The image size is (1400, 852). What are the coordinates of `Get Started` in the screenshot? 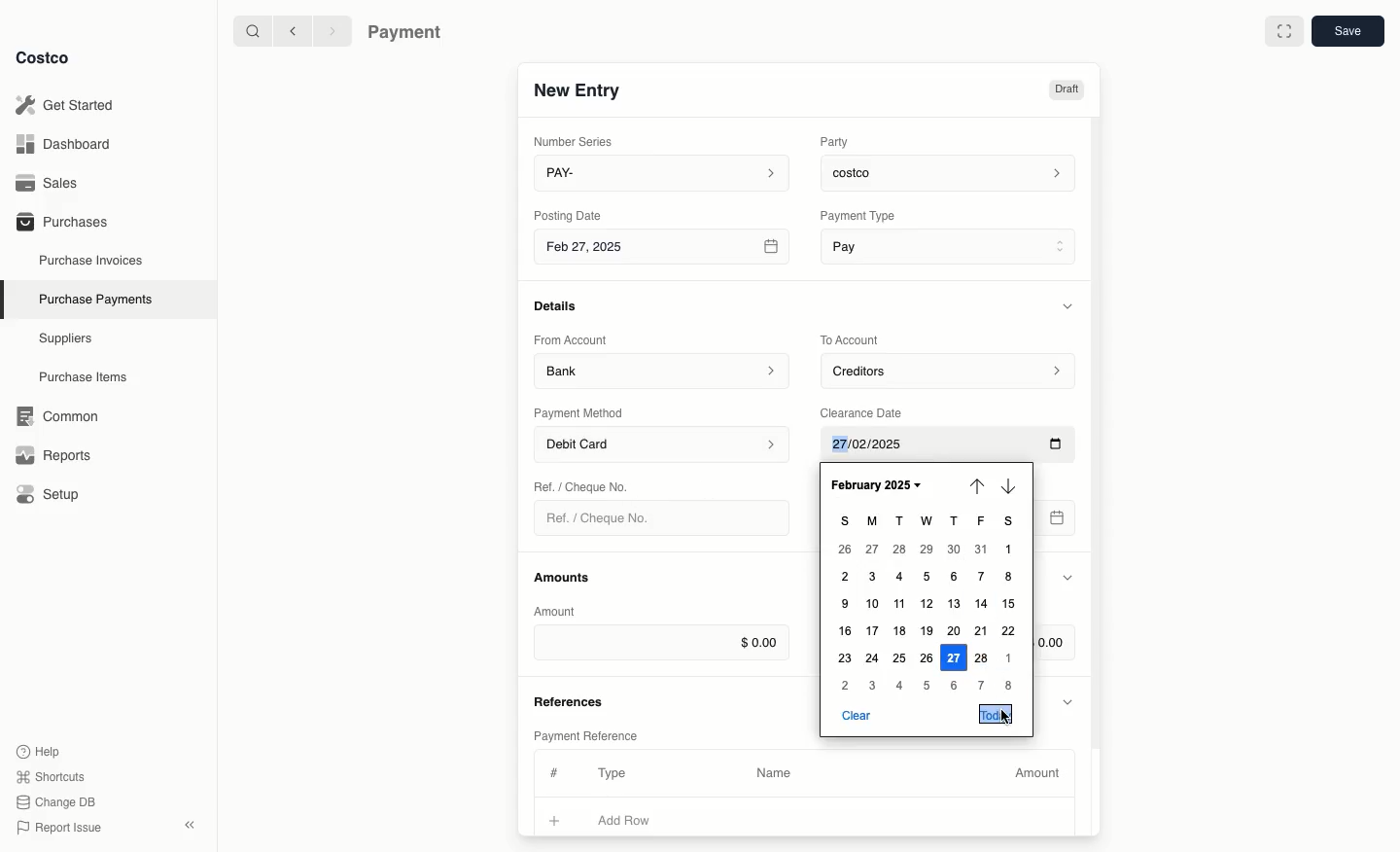 It's located at (69, 105).